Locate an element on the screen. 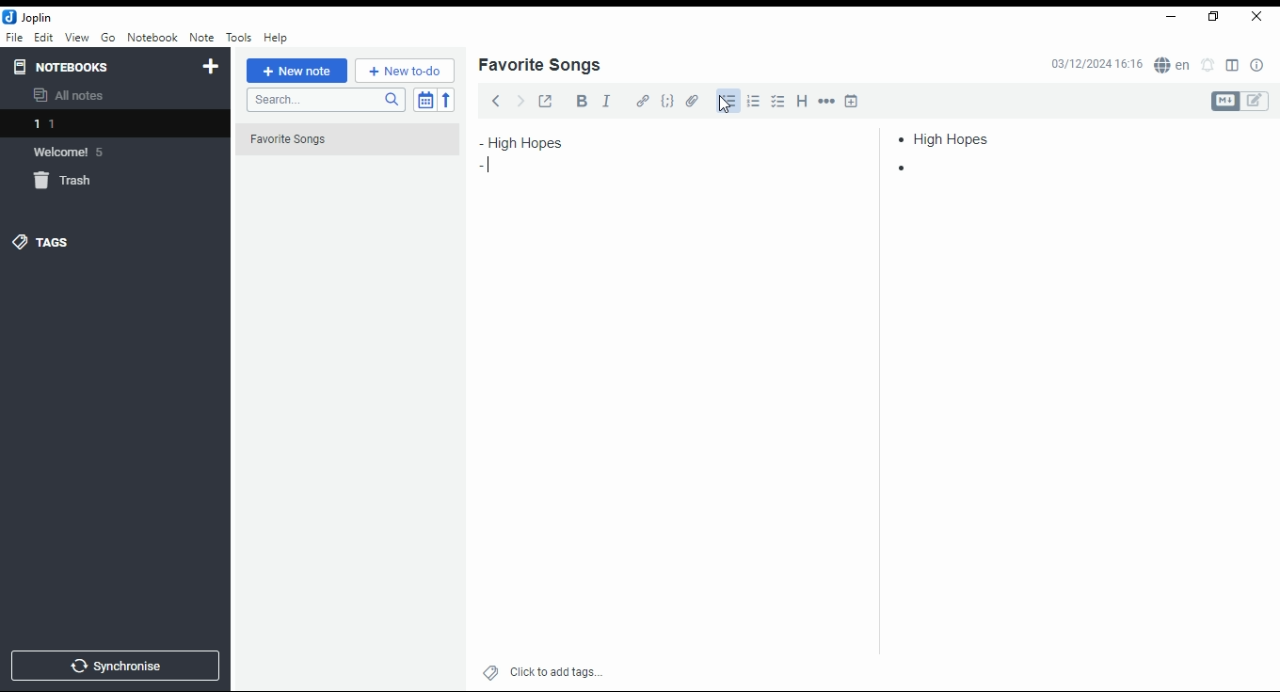  New to-do is located at coordinates (405, 71).